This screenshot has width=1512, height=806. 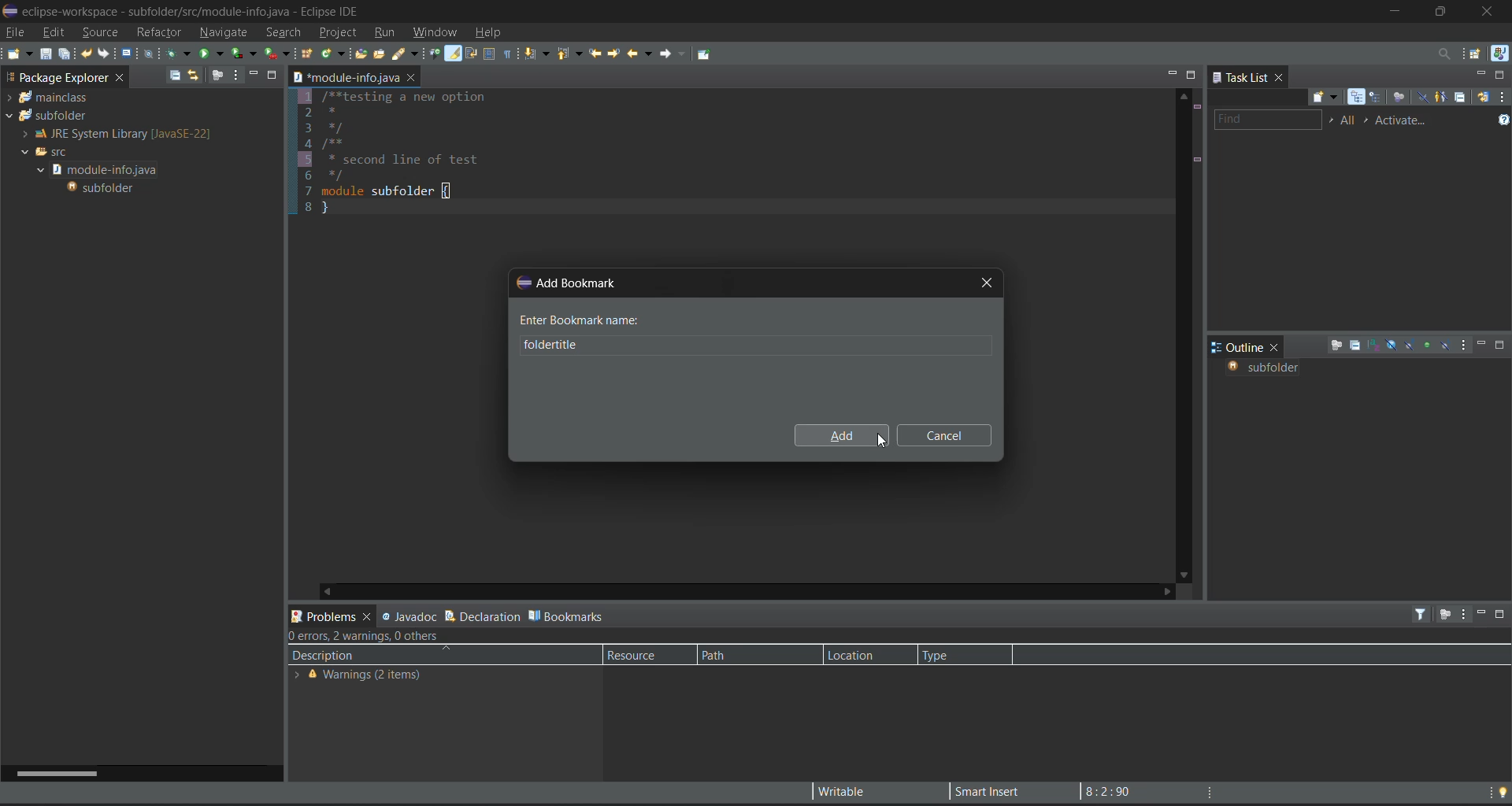 I want to click on open task, so click(x=383, y=57).